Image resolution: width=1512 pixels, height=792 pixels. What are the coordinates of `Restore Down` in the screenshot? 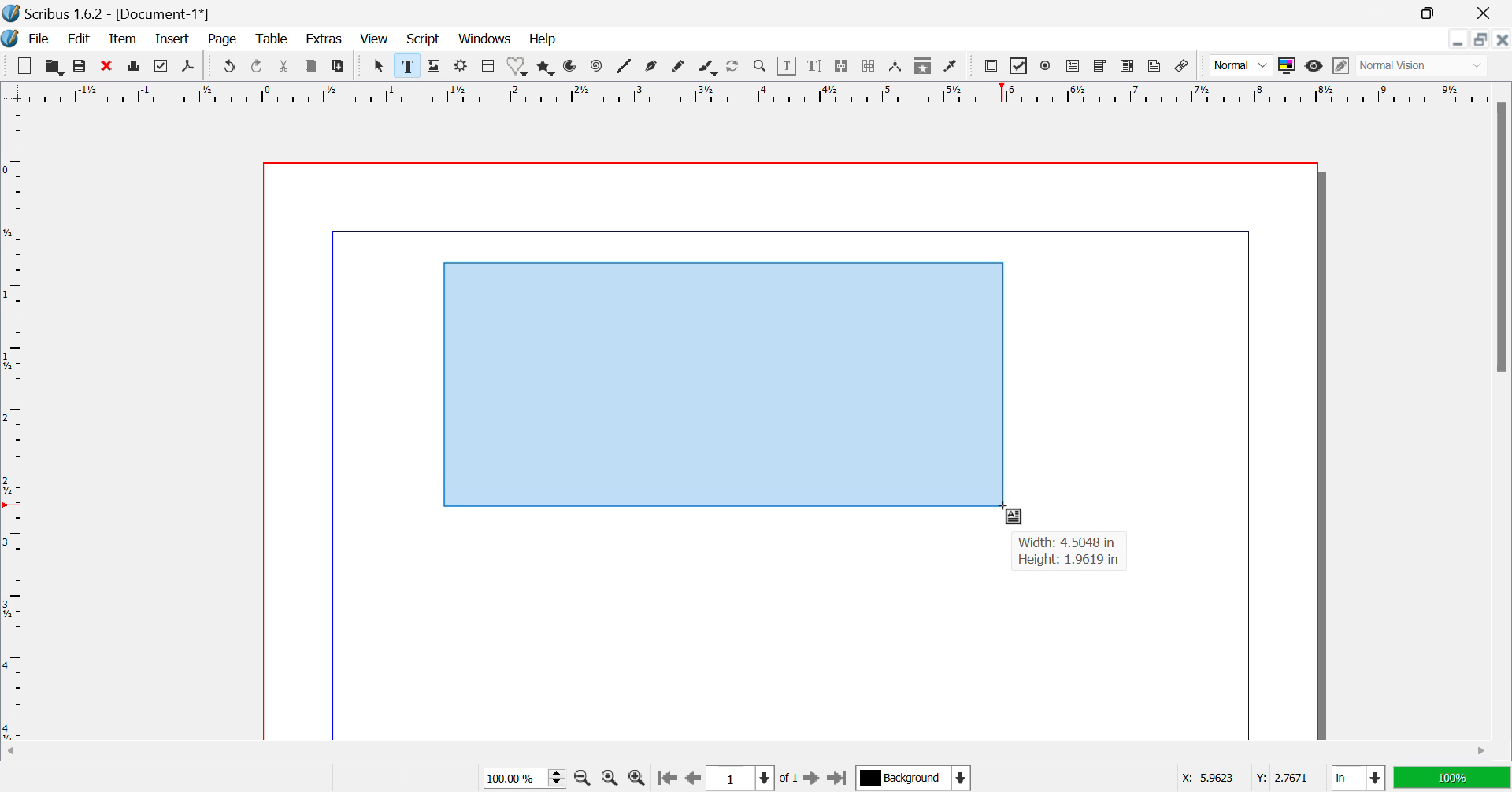 It's located at (1460, 40).